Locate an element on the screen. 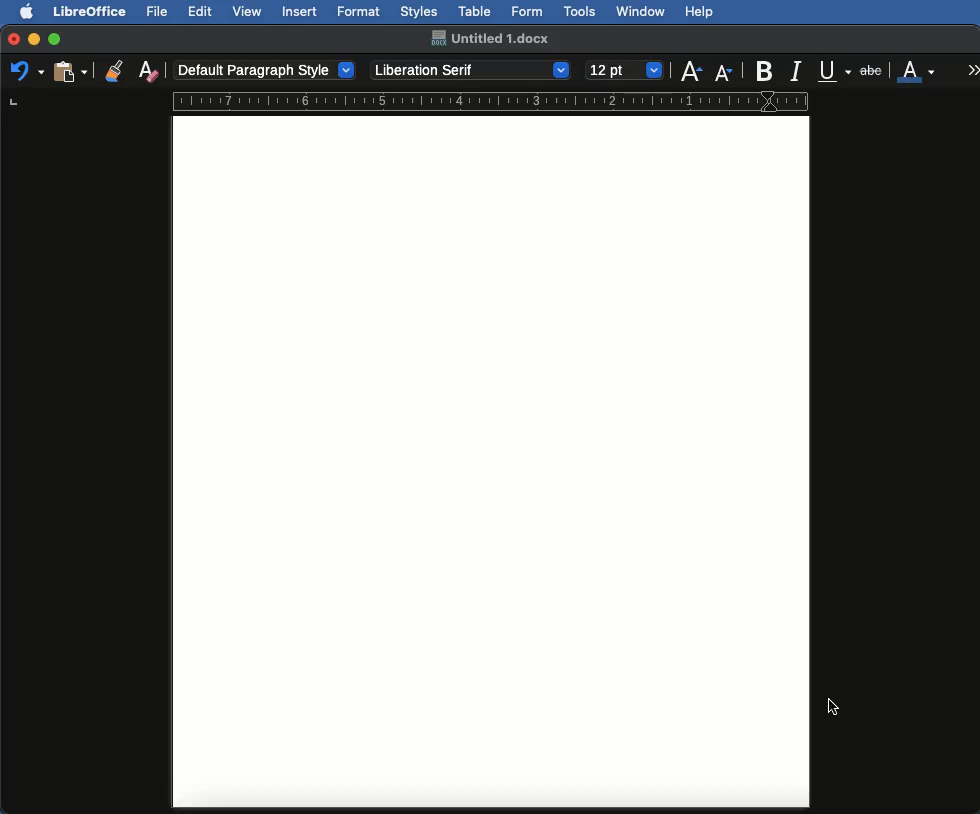  More is located at coordinates (974, 69).